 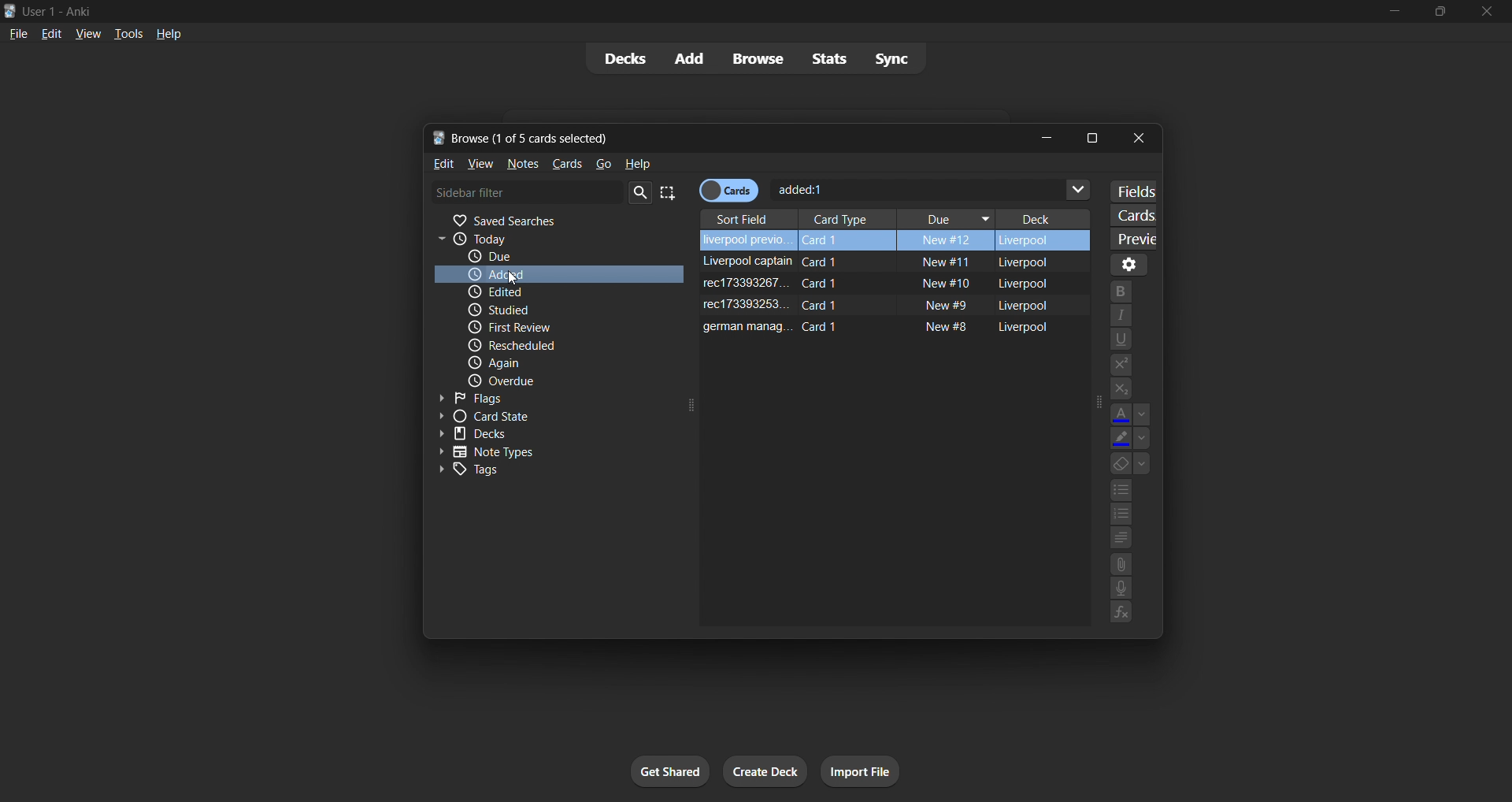 What do you see at coordinates (880, 260) in the screenshot?
I see `Liverpool captain Card 1 New #11 Liverpool` at bounding box center [880, 260].